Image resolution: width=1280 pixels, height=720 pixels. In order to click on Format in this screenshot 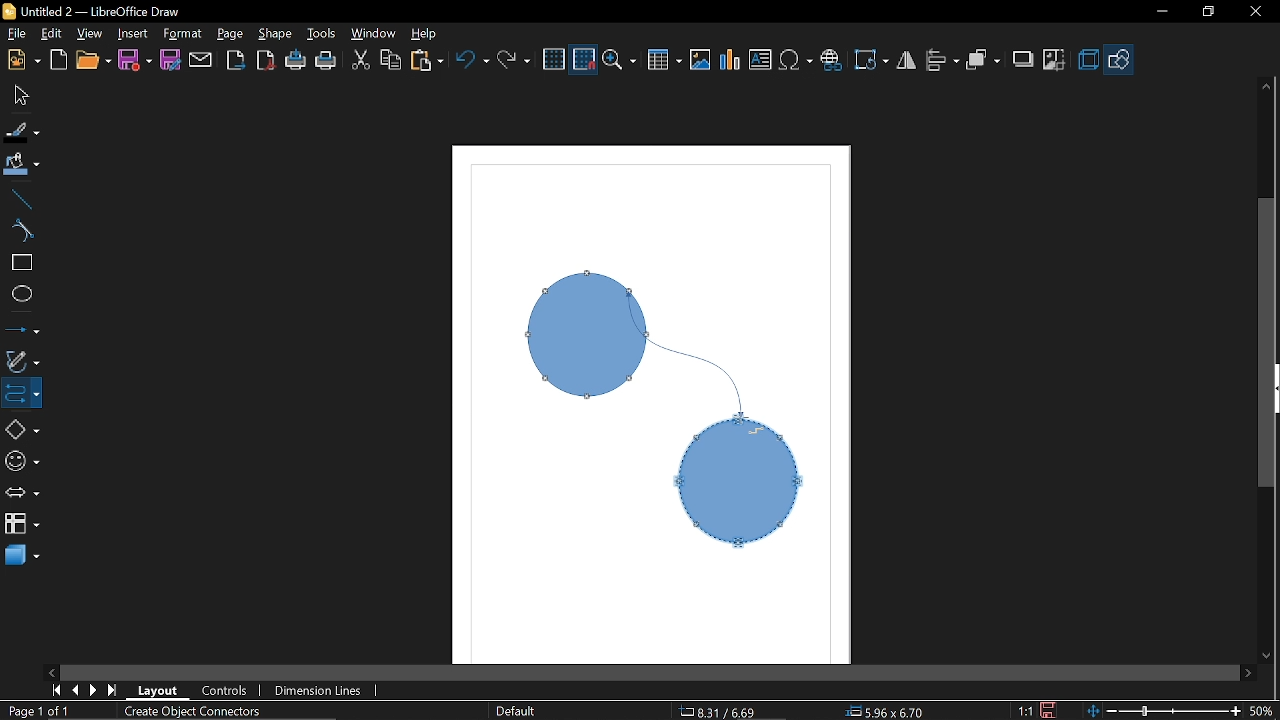, I will do `click(181, 35)`.